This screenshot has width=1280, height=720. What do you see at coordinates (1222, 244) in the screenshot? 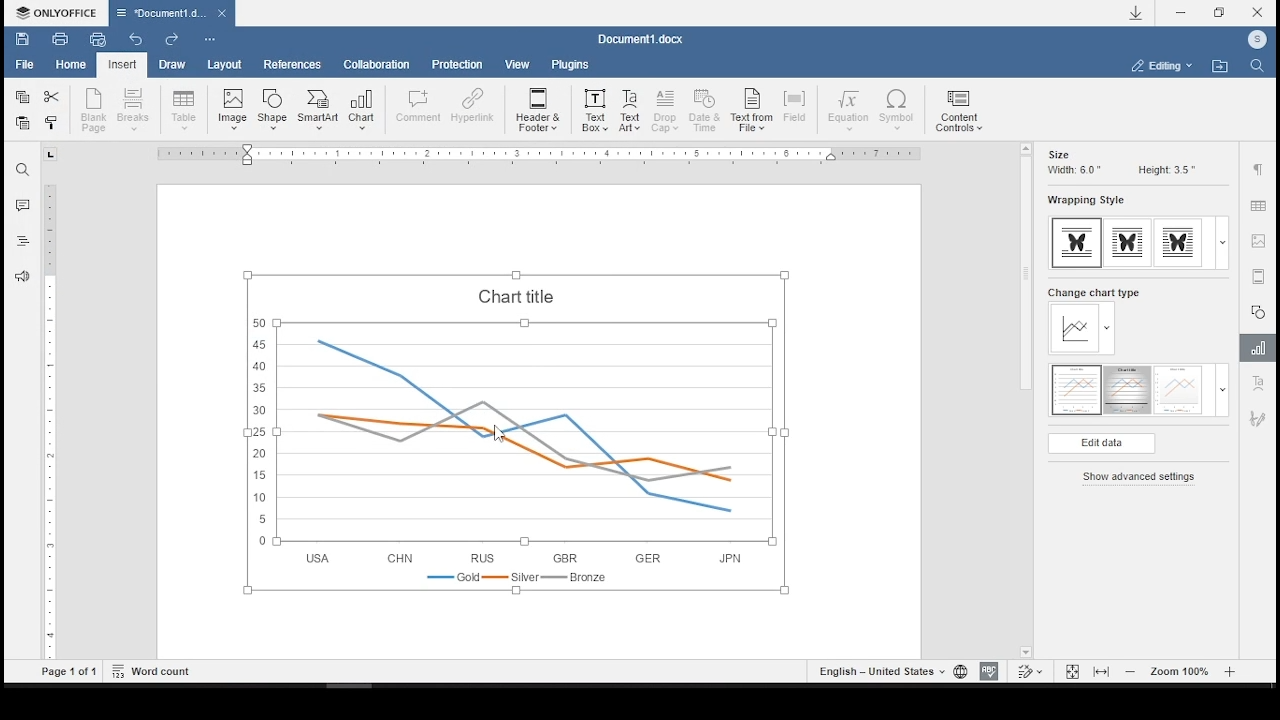
I see `expand` at bounding box center [1222, 244].